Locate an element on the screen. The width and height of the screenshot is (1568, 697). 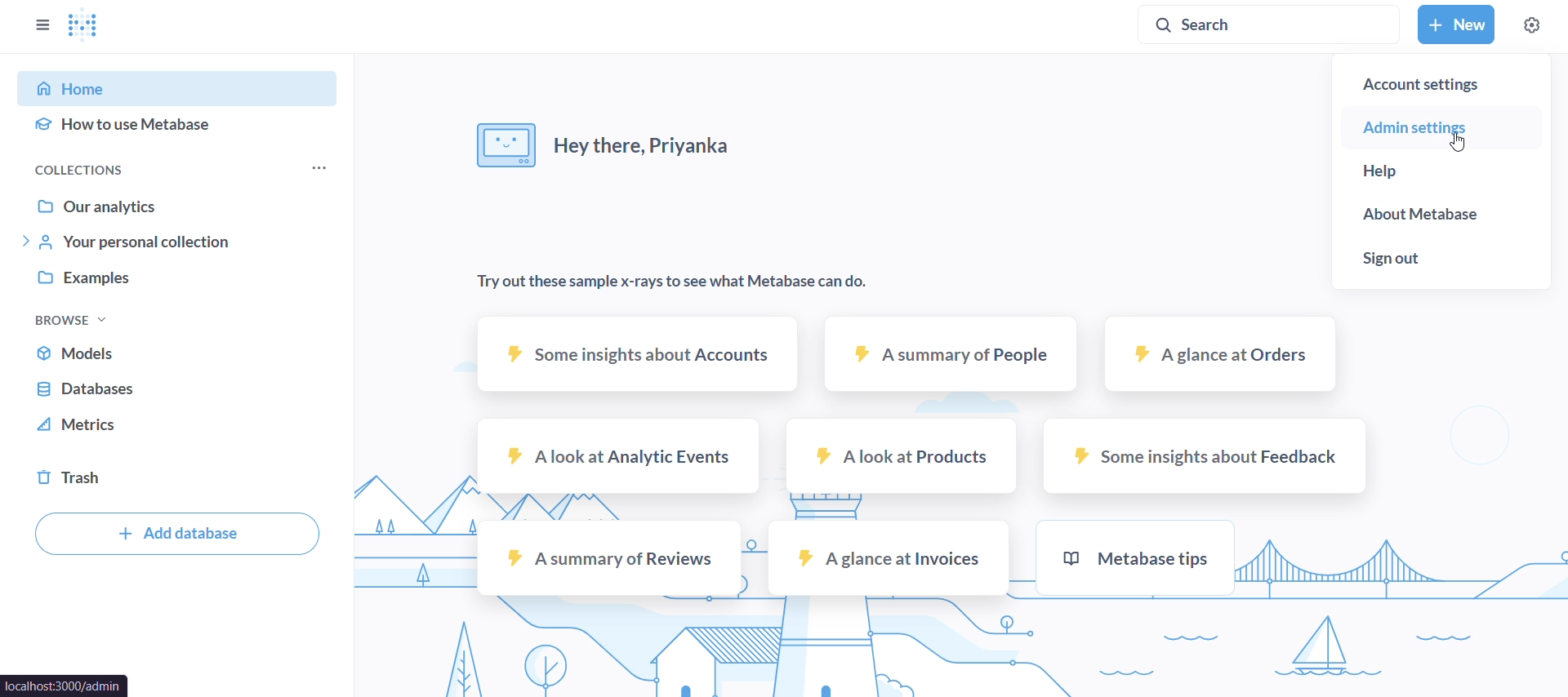
a glance at orders is located at coordinates (1225, 353).